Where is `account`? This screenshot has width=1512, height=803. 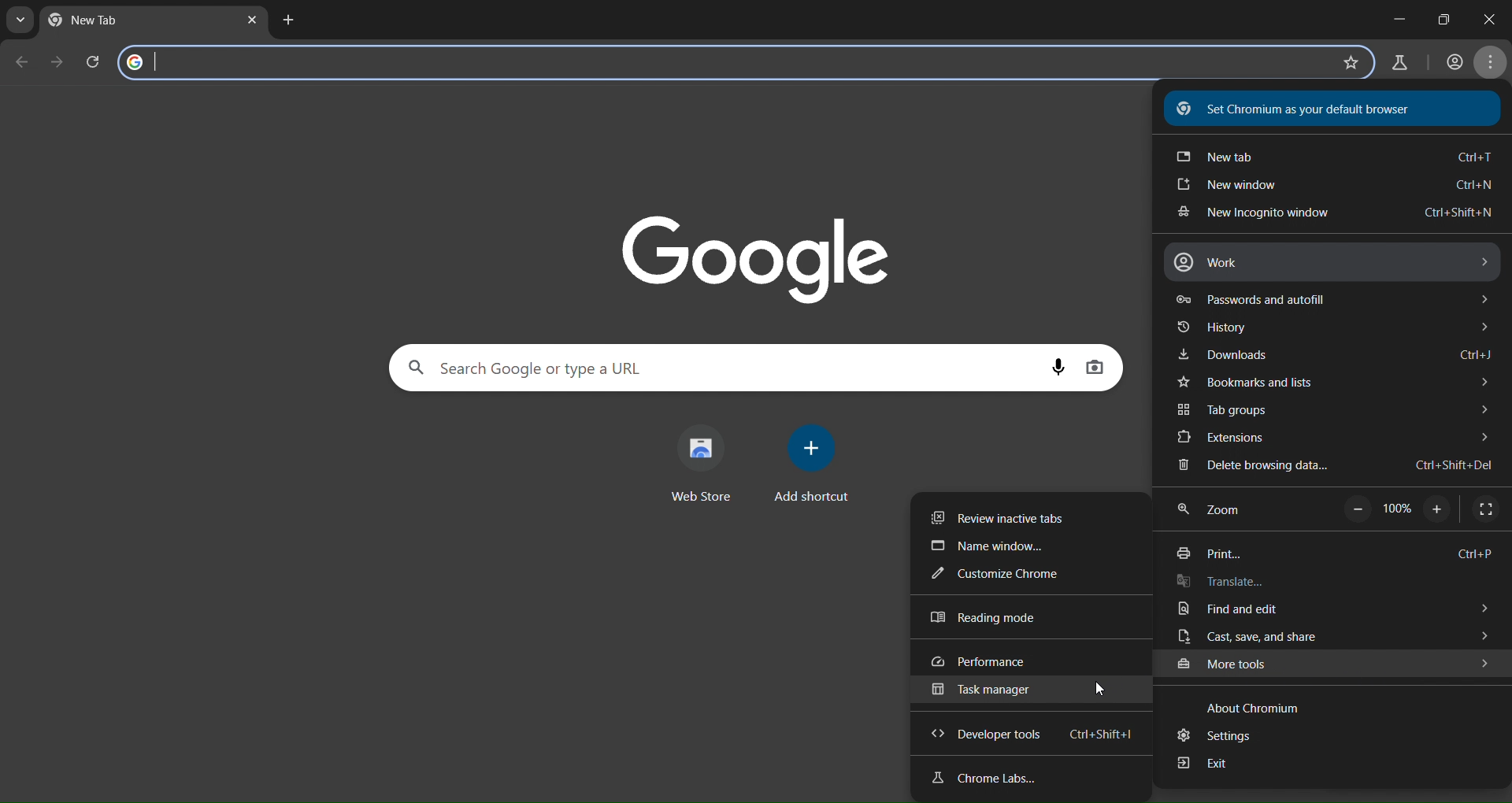
account is located at coordinates (1455, 64).